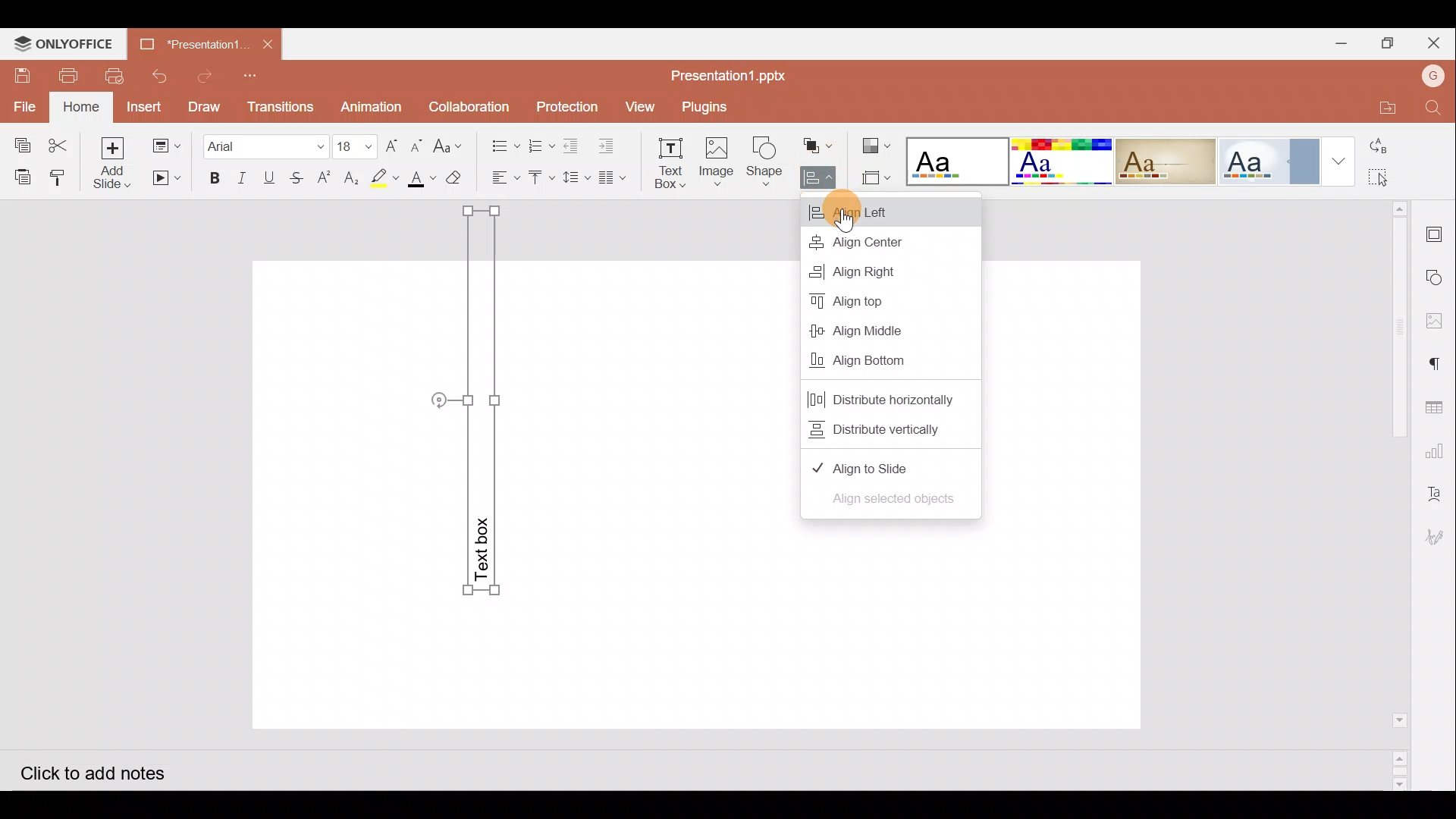 Image resolution: width=1456 pixels, height=819 pixels. I want to click on Numbering, so click(541, 142).